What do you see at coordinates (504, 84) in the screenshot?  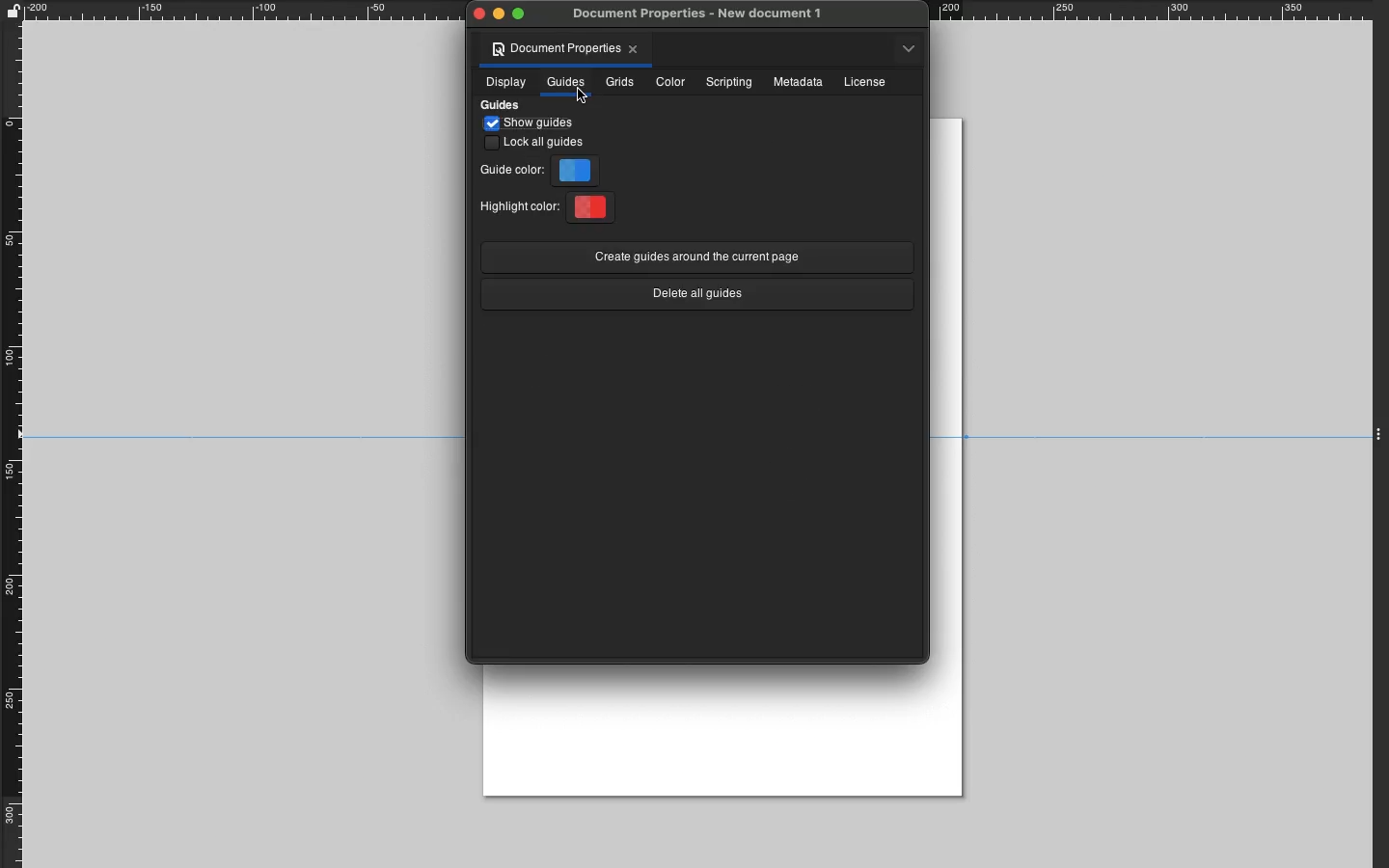 I see `Display` at bounding box center [504, 84].